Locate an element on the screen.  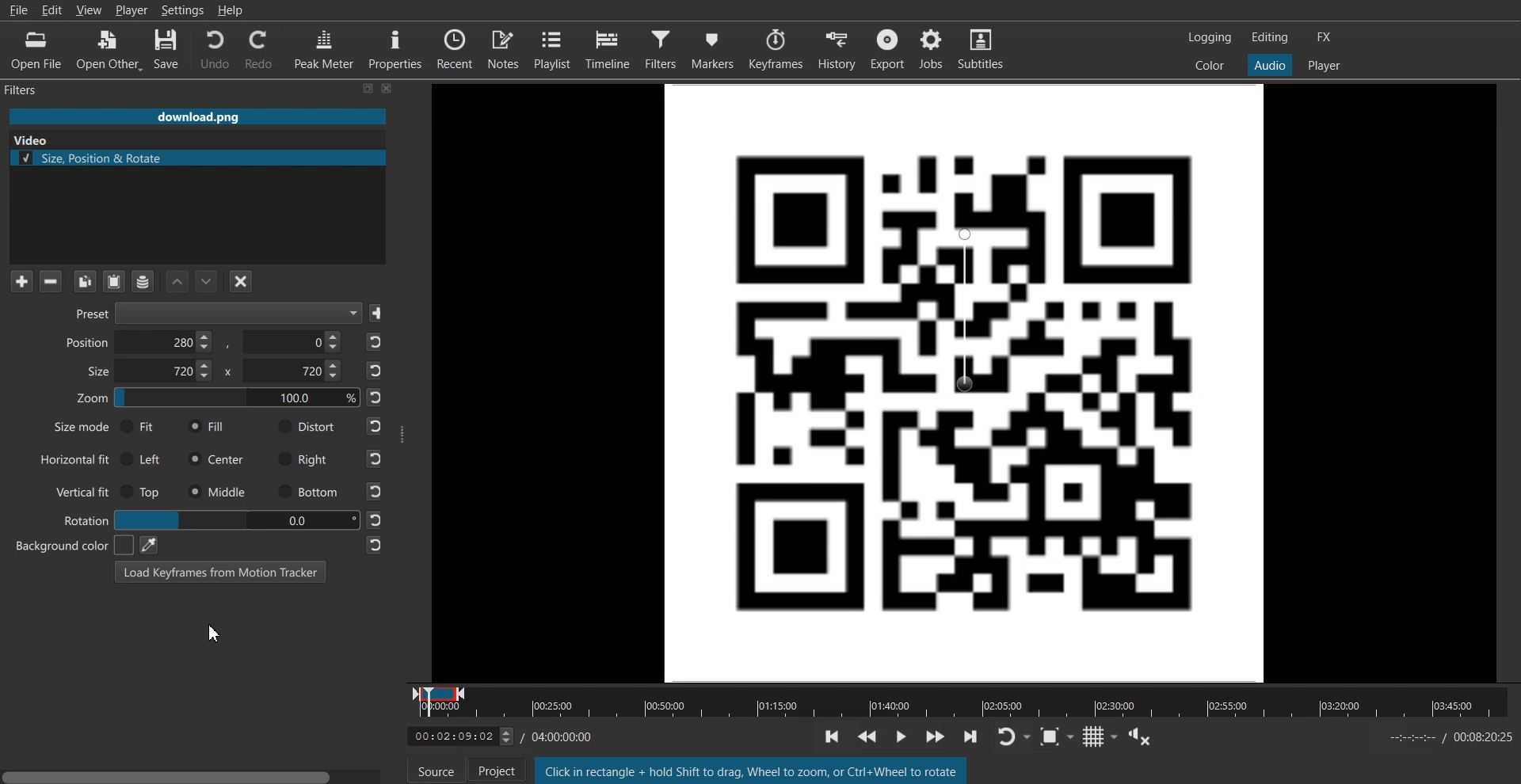
Switch to the Audio layout is located at coordinates (1269, 65).